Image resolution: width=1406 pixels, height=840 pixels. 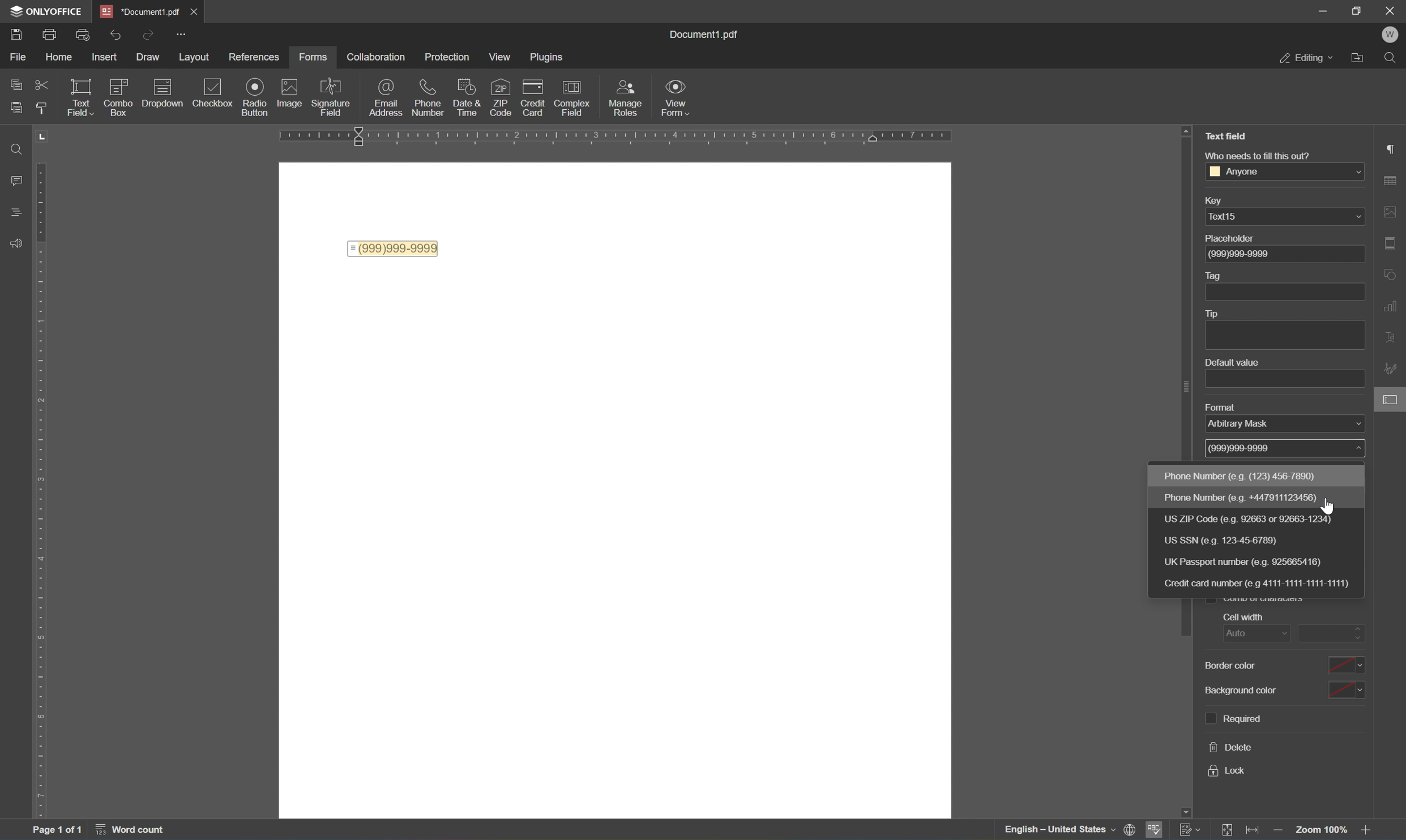 I want to click on draw, so click(x=144, y=57).